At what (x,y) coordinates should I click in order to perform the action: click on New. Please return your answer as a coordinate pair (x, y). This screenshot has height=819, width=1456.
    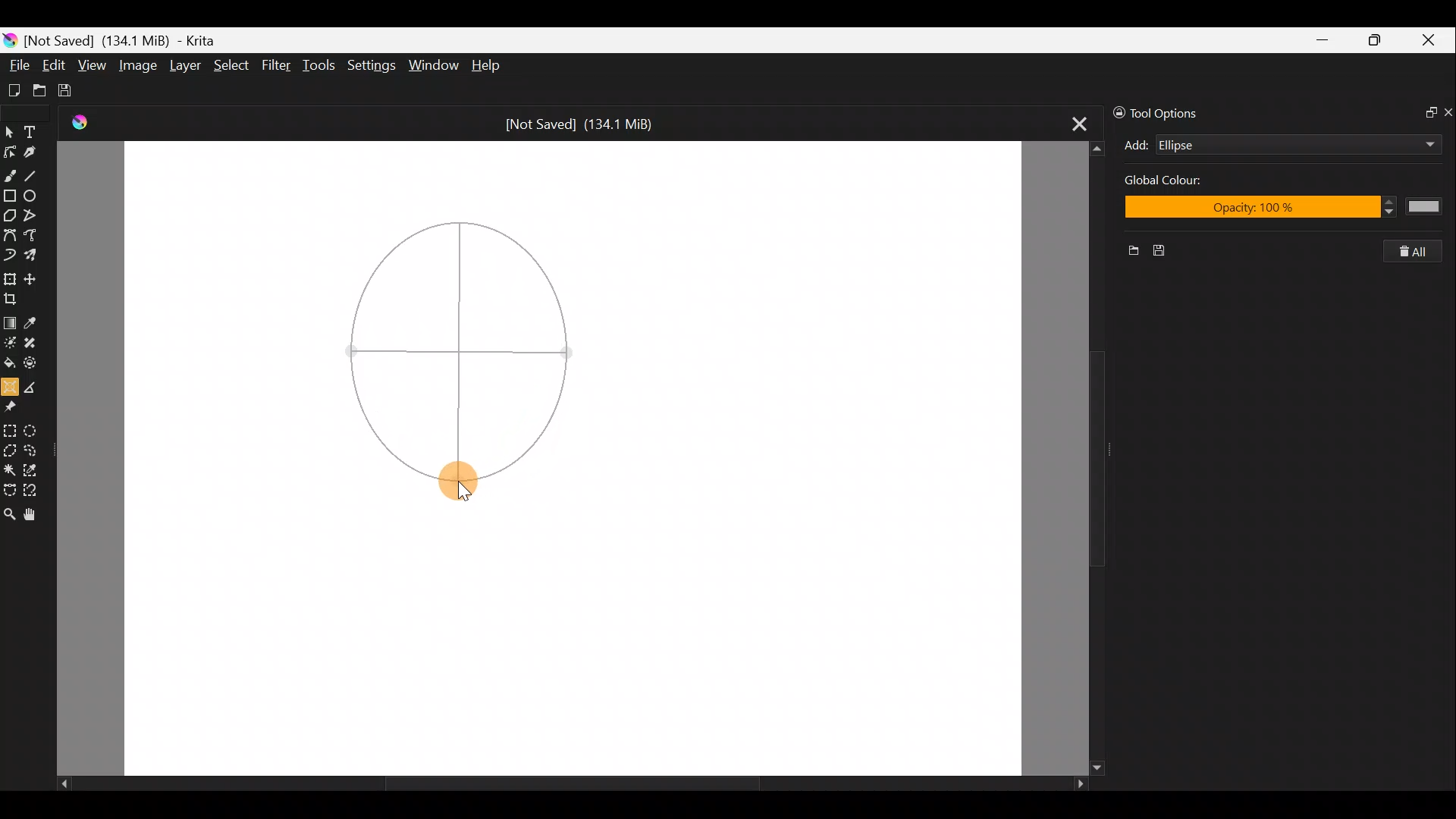
    Looking at the image, I should click on (1128, 253).